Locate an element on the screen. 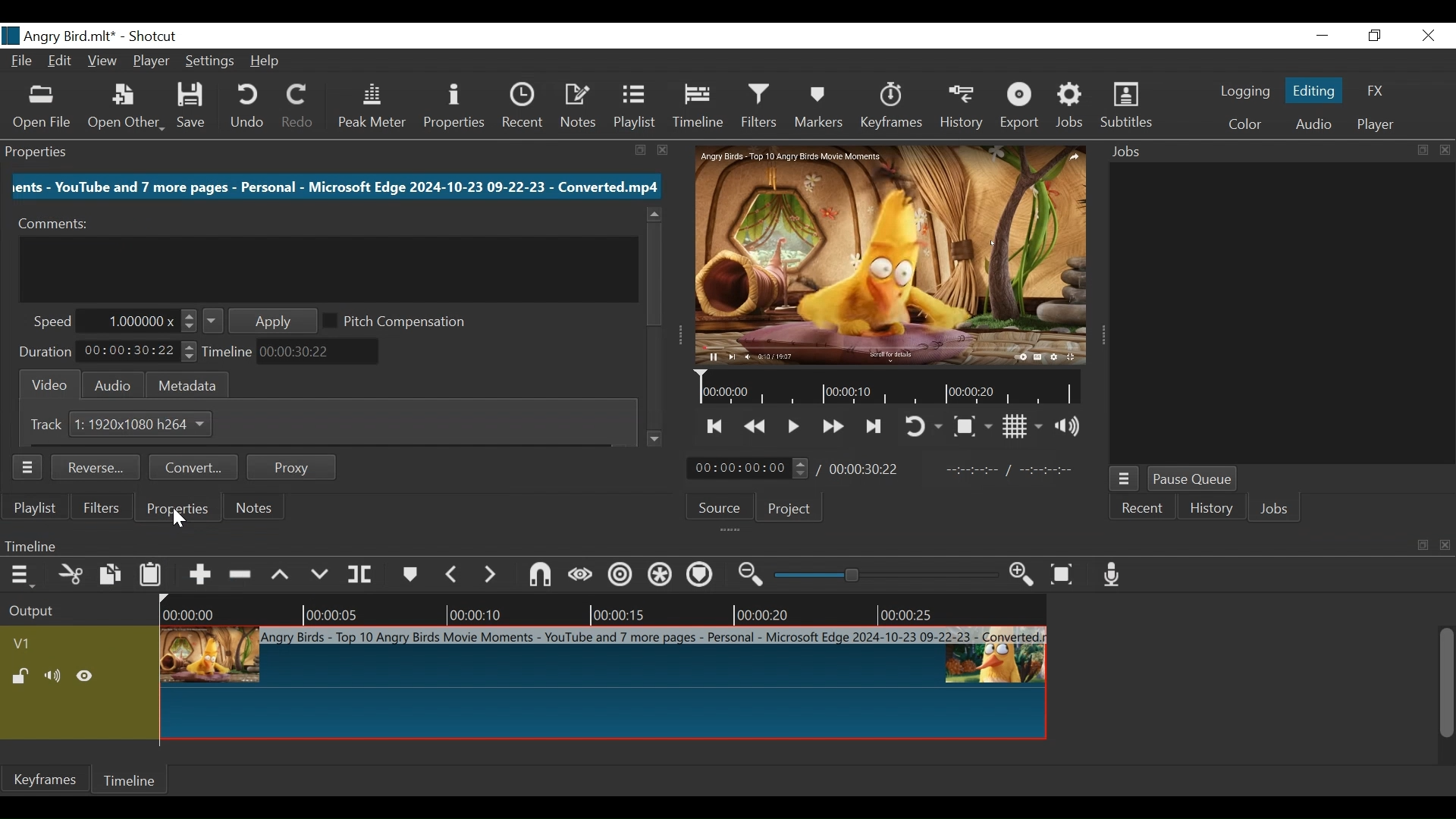  Properties is located at coordinates (454, 108).